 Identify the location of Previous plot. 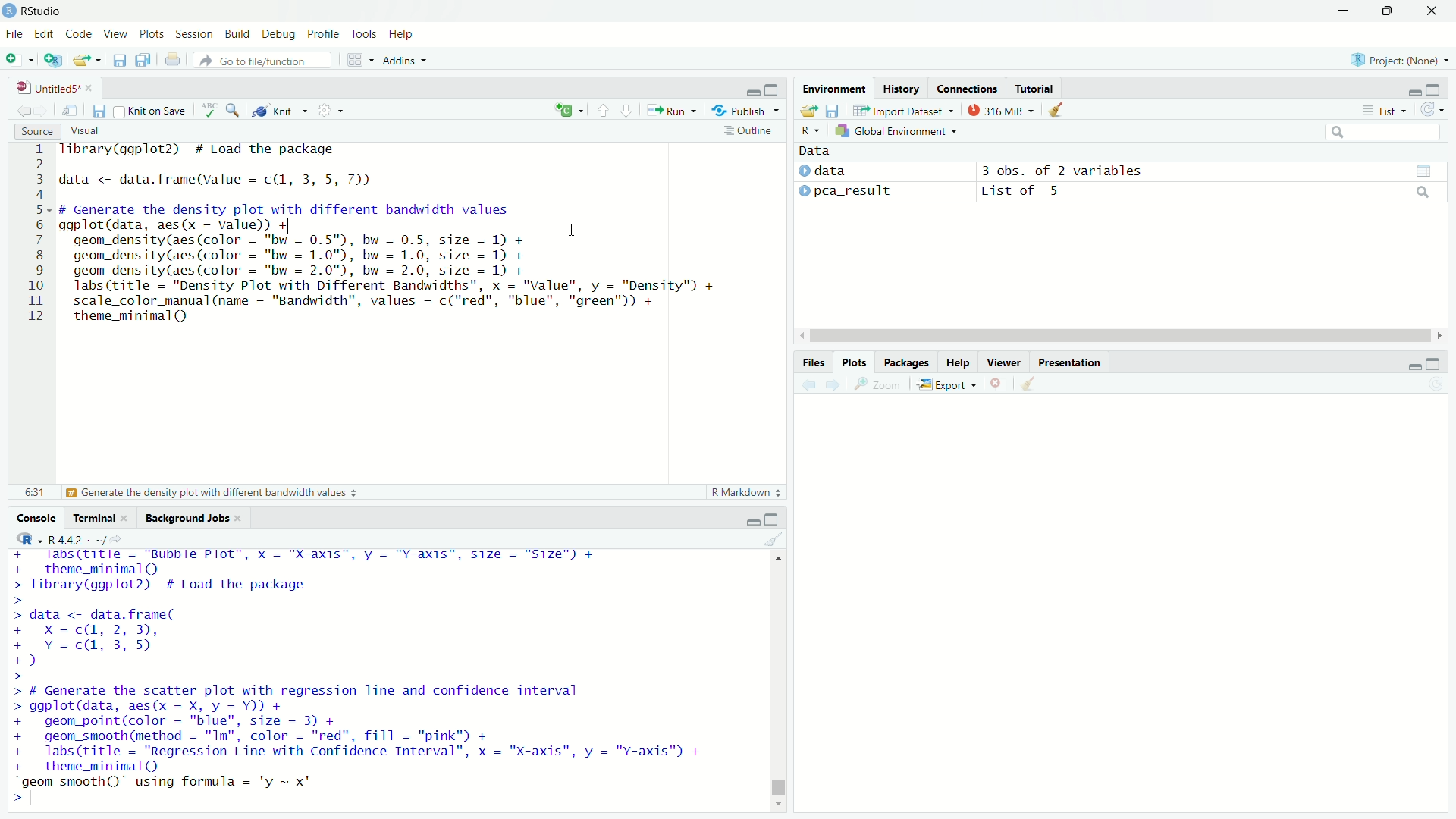
(808, 384).